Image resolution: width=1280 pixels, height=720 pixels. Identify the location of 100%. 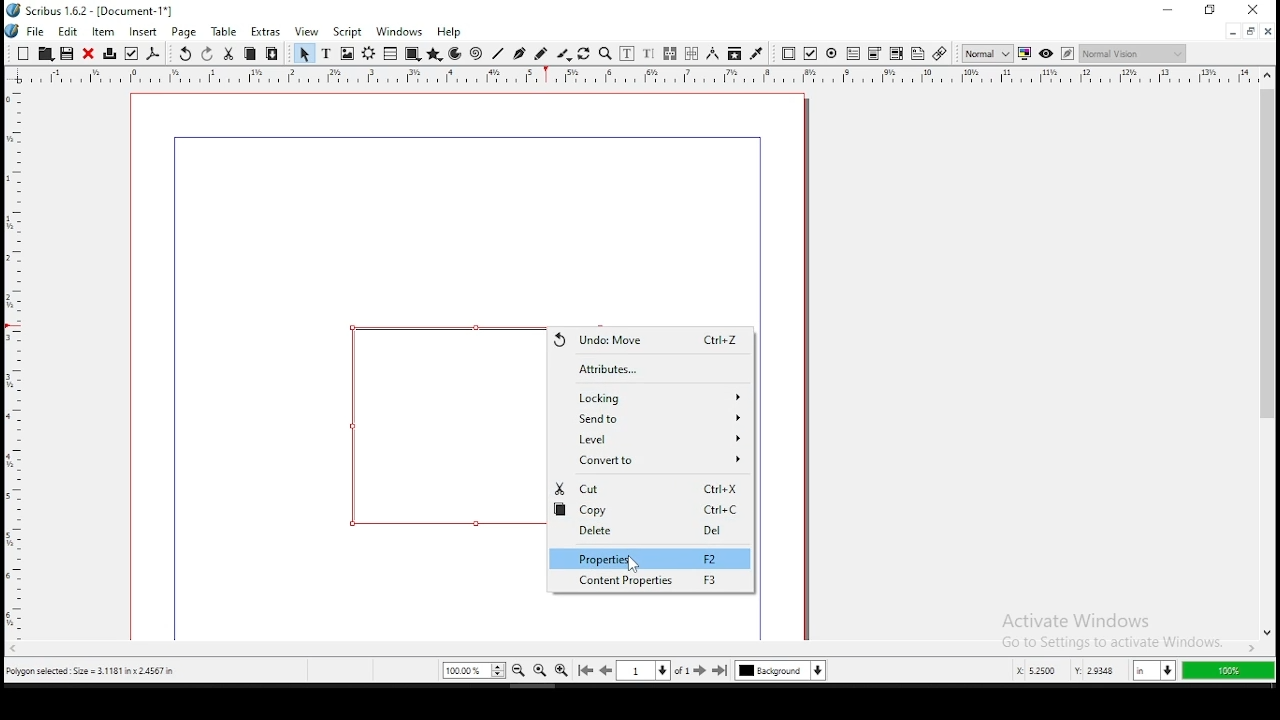
(1228, 671).